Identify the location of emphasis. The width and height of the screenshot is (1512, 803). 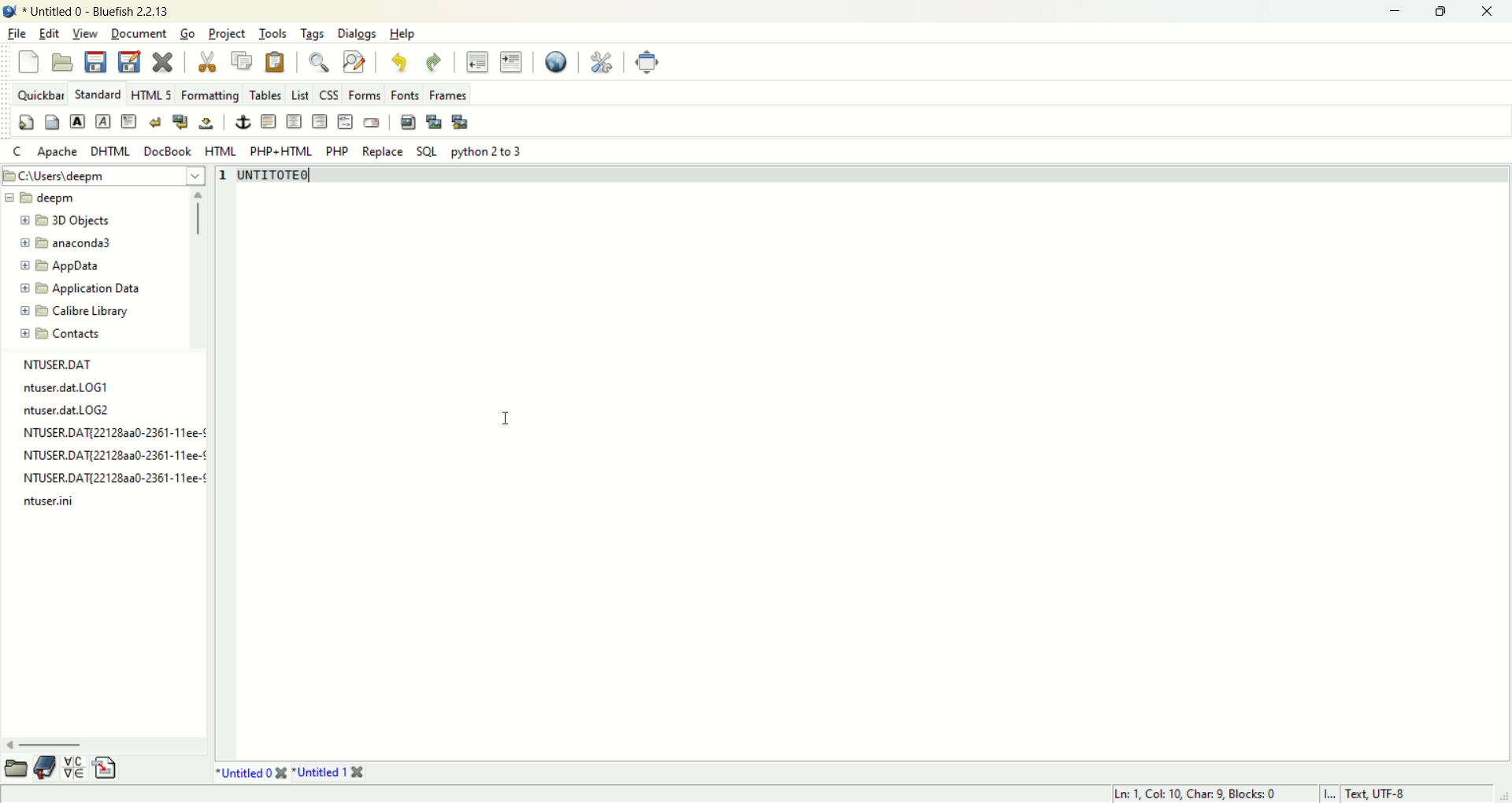
(101, 121).